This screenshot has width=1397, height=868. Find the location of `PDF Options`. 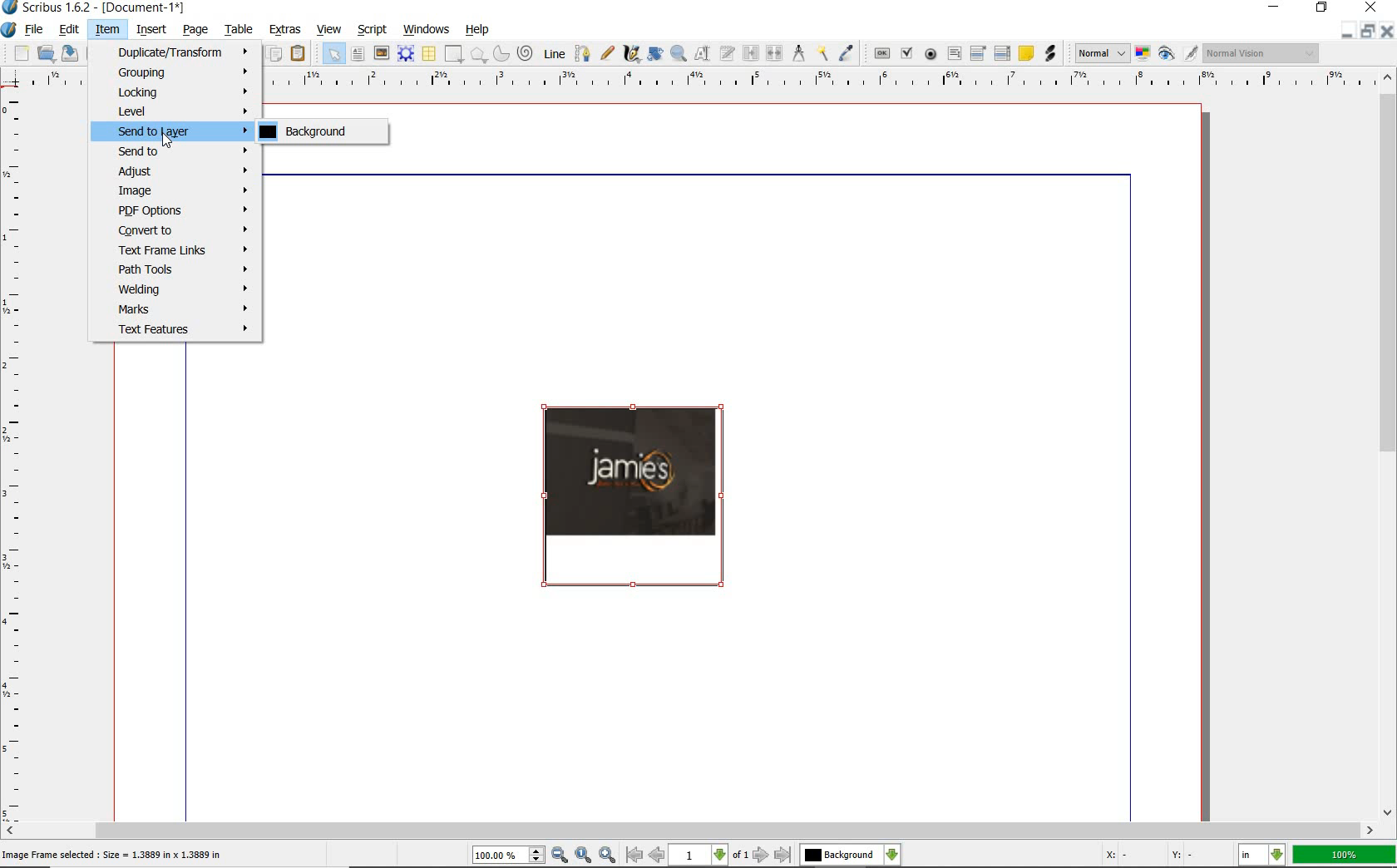

PDF Options is located at coordinates (176, 210).